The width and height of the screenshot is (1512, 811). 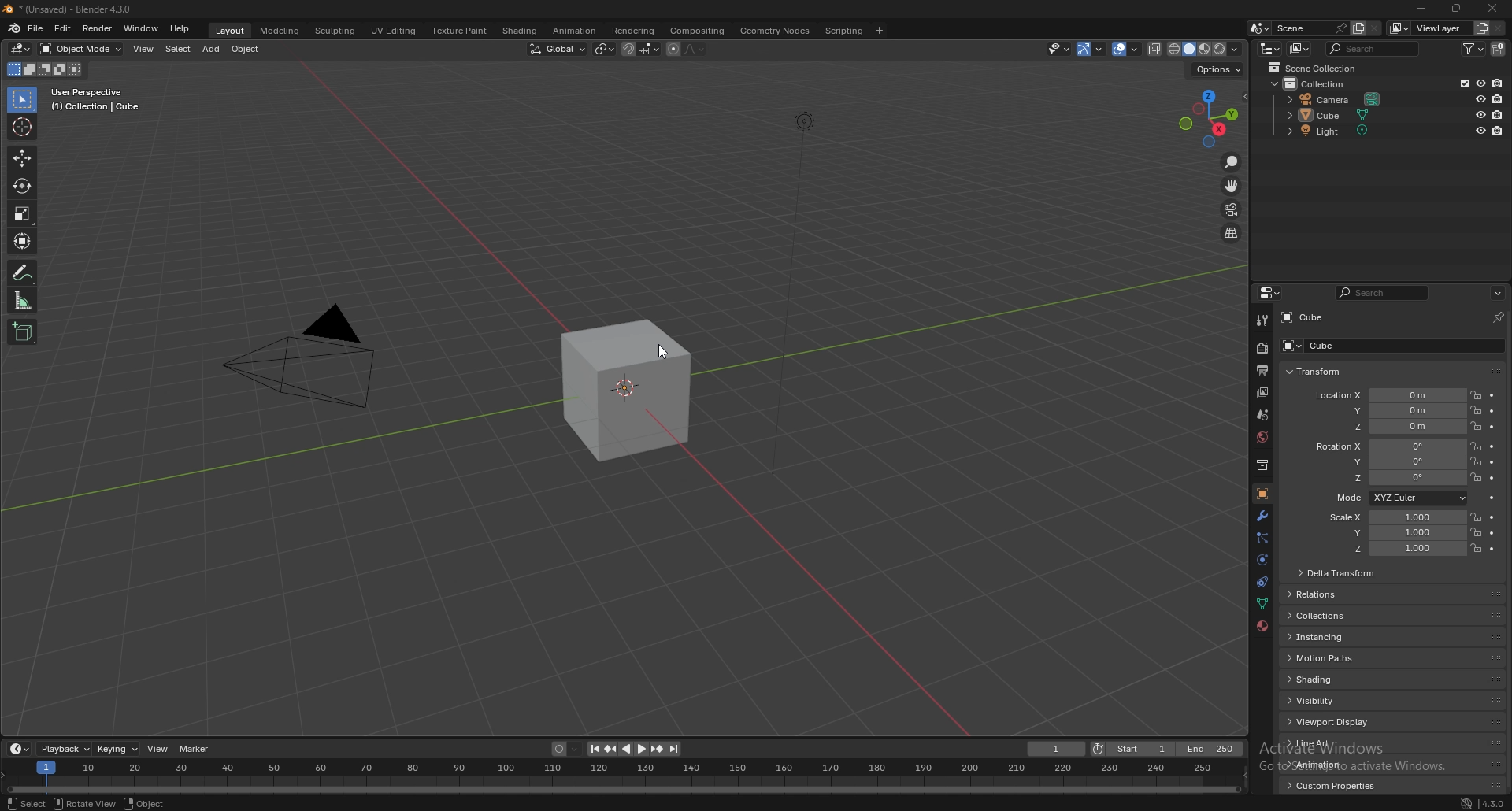 I want to click on lock, so click(x=1475, y=477).